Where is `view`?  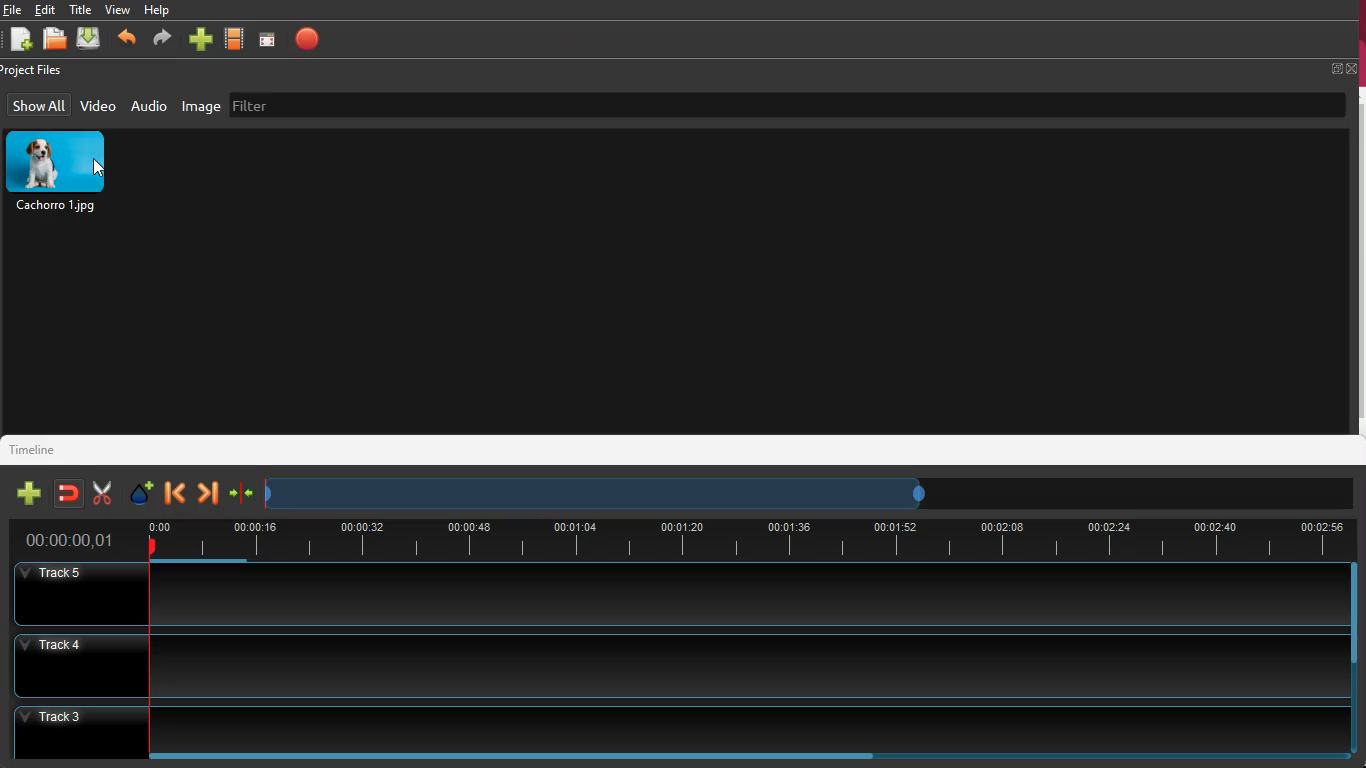 view is located at coordinates (120, 10).